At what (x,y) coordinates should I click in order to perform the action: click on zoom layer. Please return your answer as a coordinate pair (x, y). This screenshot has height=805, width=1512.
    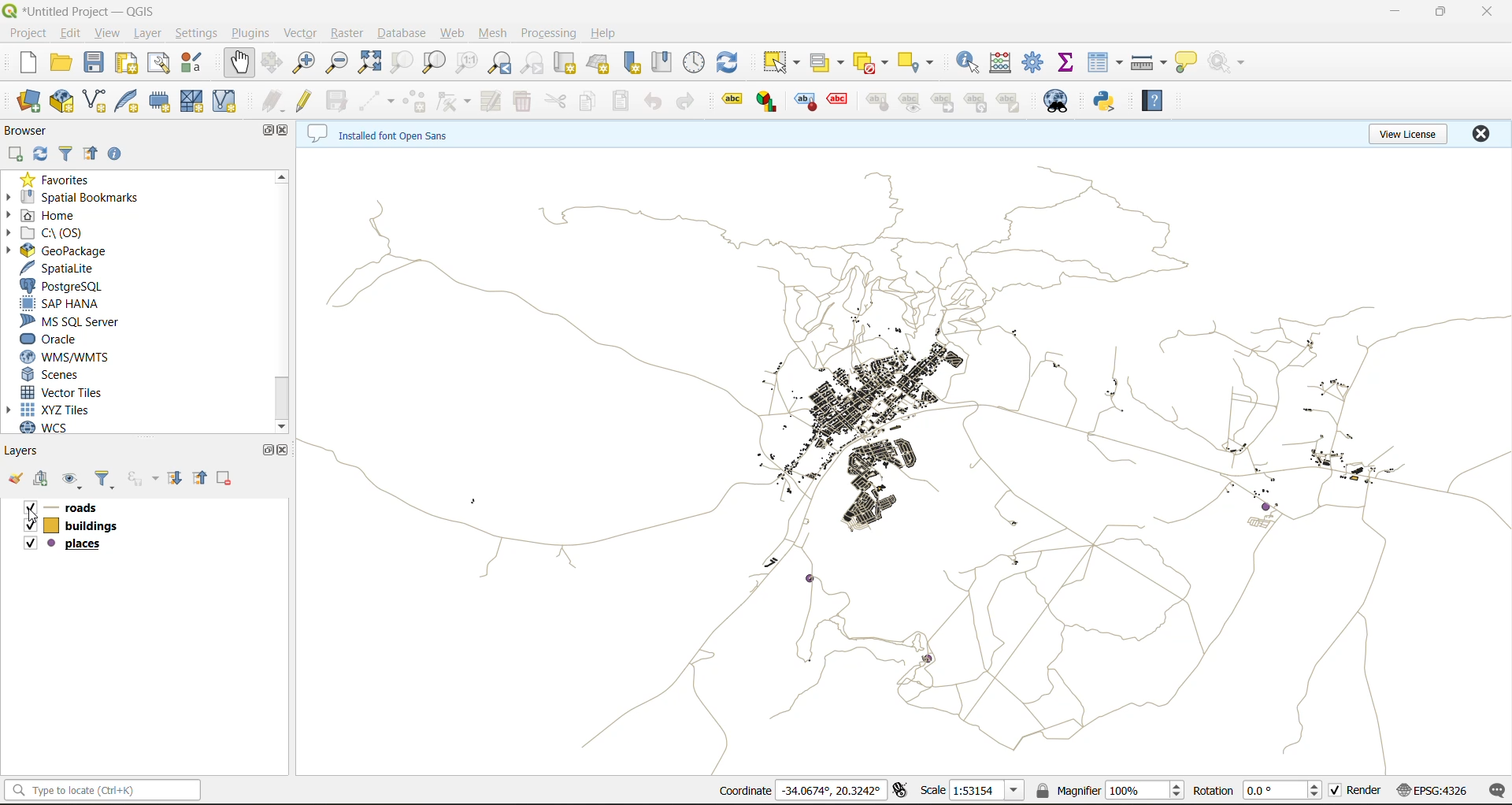
    Looking at the image, I should click on (431, 61).